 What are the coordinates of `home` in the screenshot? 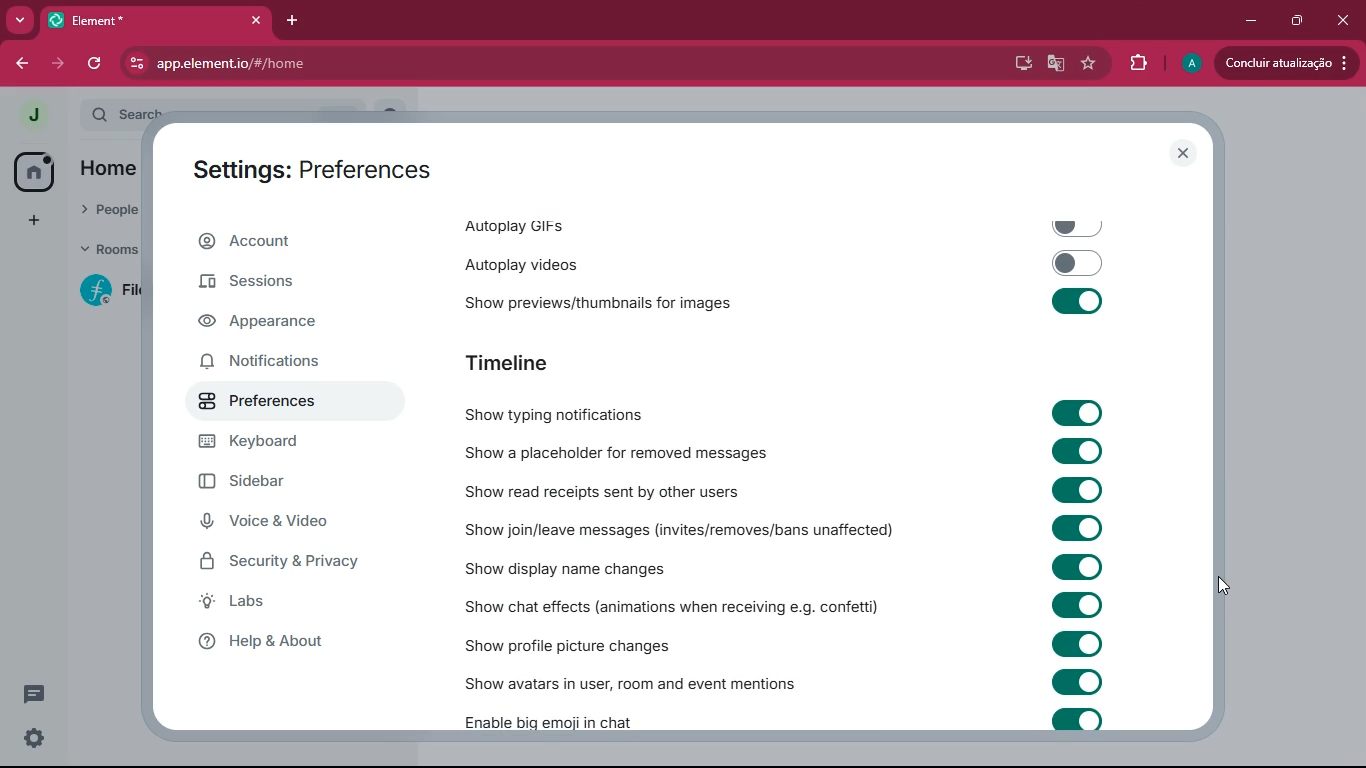 It's located at (32, 172).